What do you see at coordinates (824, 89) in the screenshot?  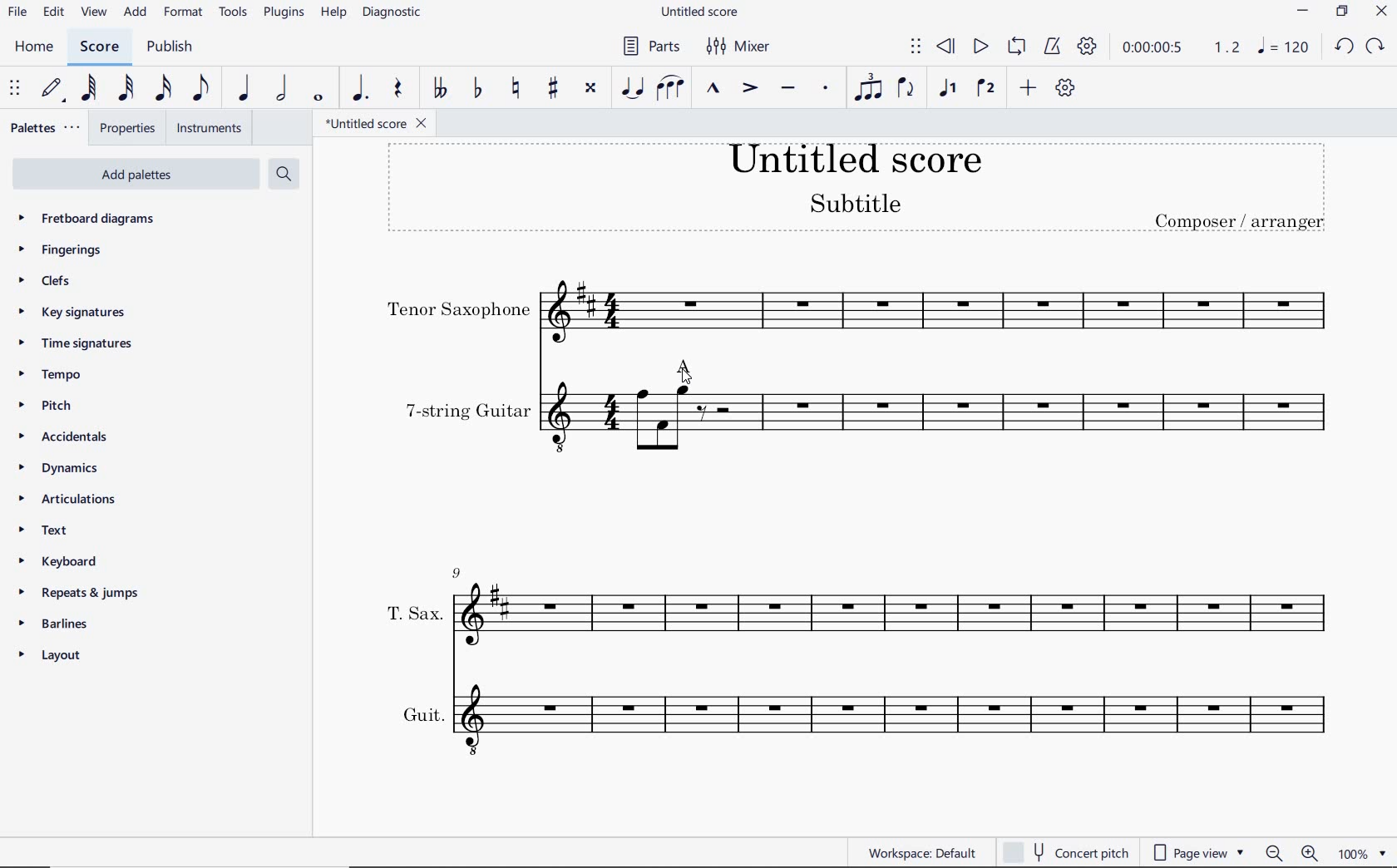 I see `STACCATO` at bounding box center [824, 89].